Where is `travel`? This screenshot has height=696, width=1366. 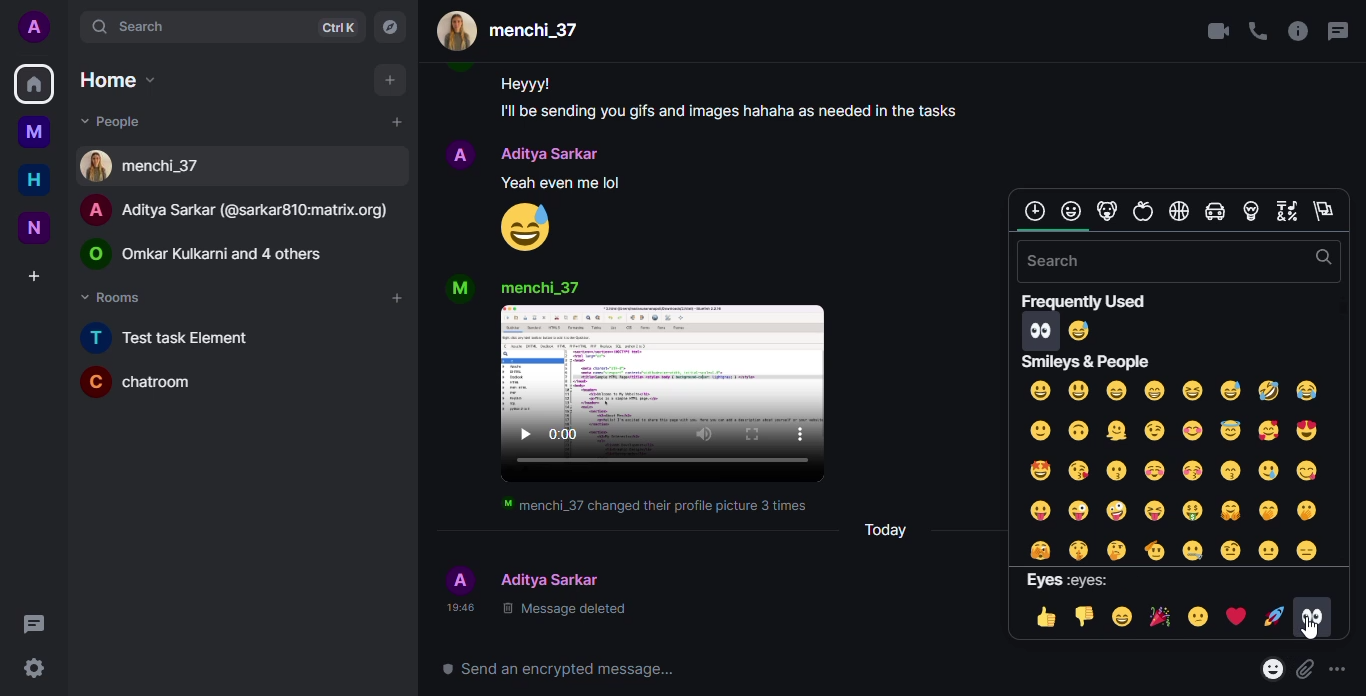
travel is located at coordinates (1212, 212).